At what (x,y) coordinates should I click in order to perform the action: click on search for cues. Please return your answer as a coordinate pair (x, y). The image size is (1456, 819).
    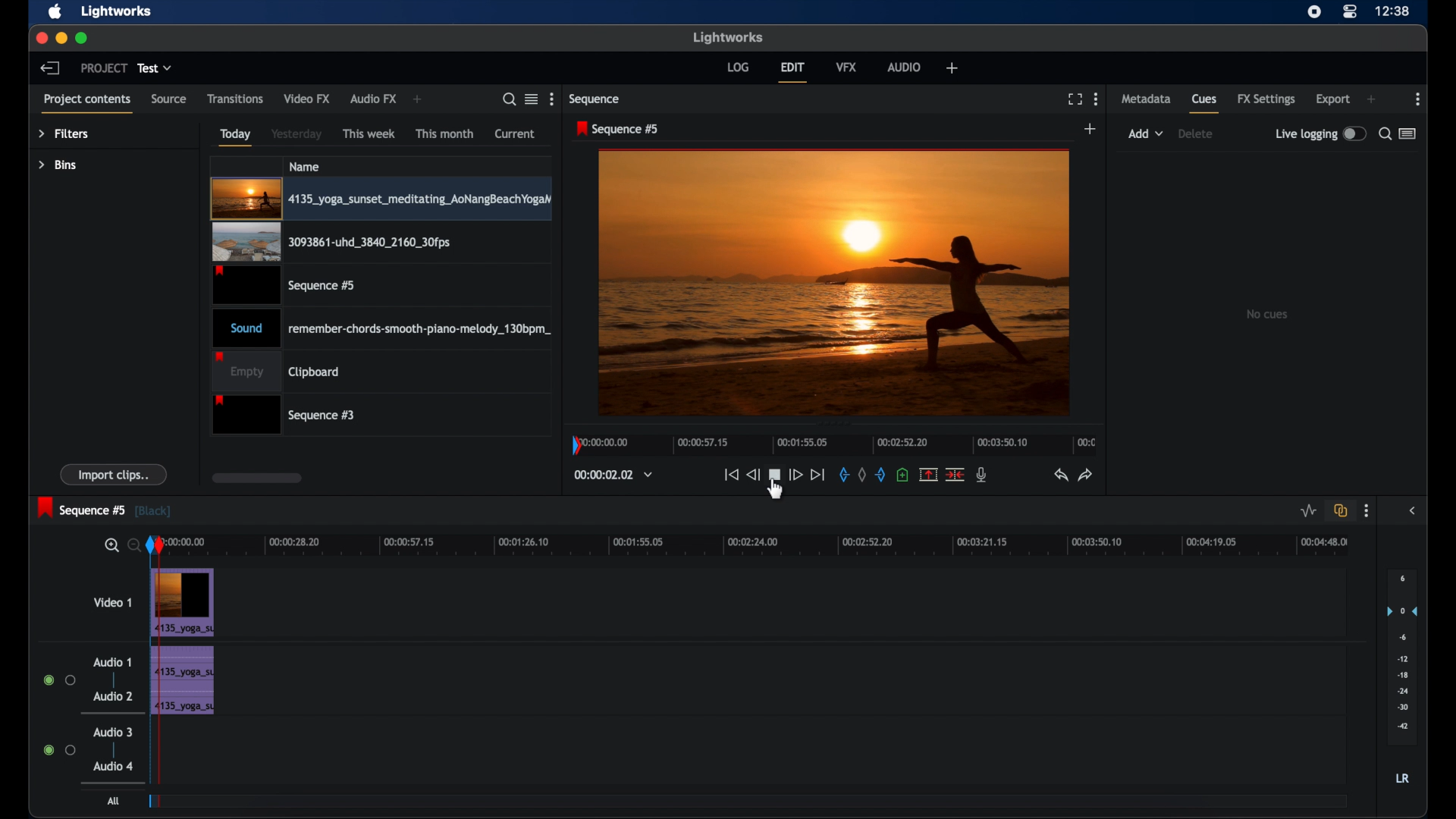
    Looking at the image, I should click on (1384, 133).